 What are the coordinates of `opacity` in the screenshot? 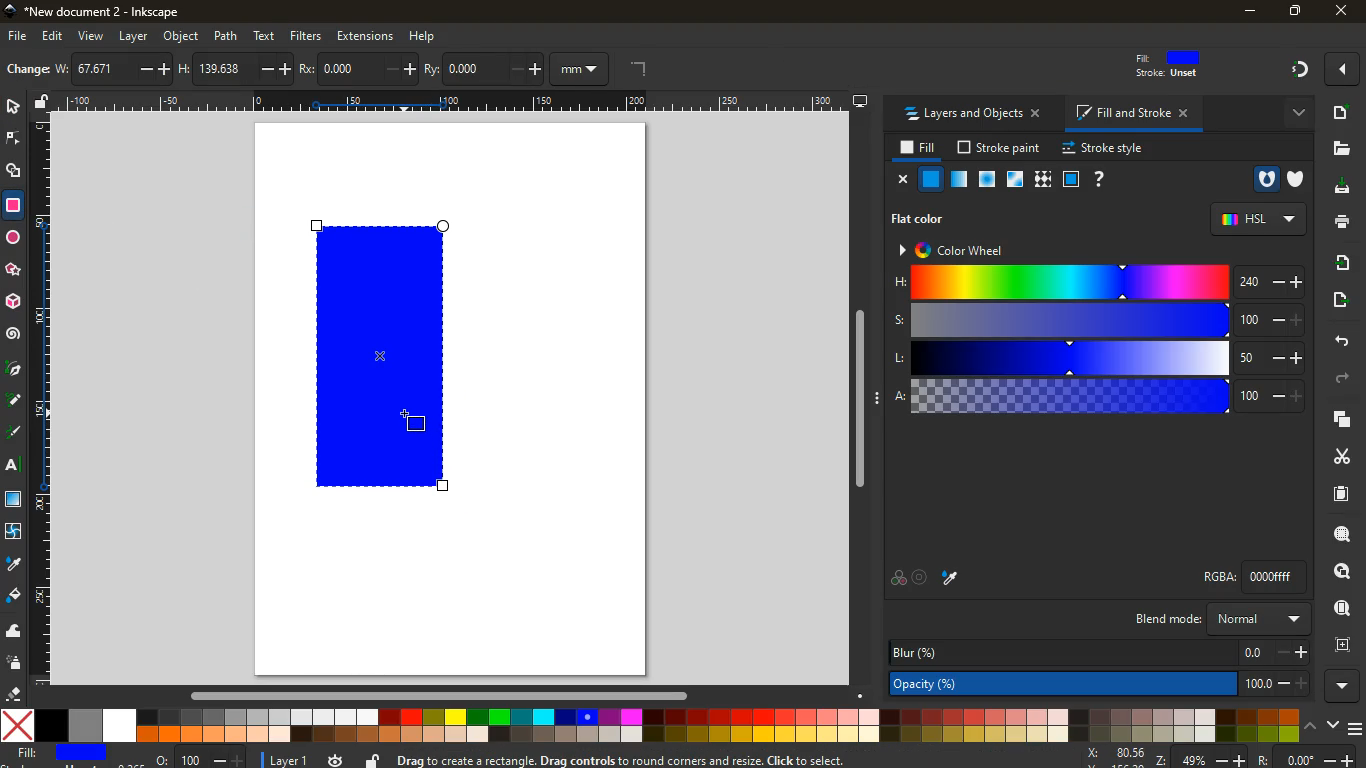 It's located at (959, 178).